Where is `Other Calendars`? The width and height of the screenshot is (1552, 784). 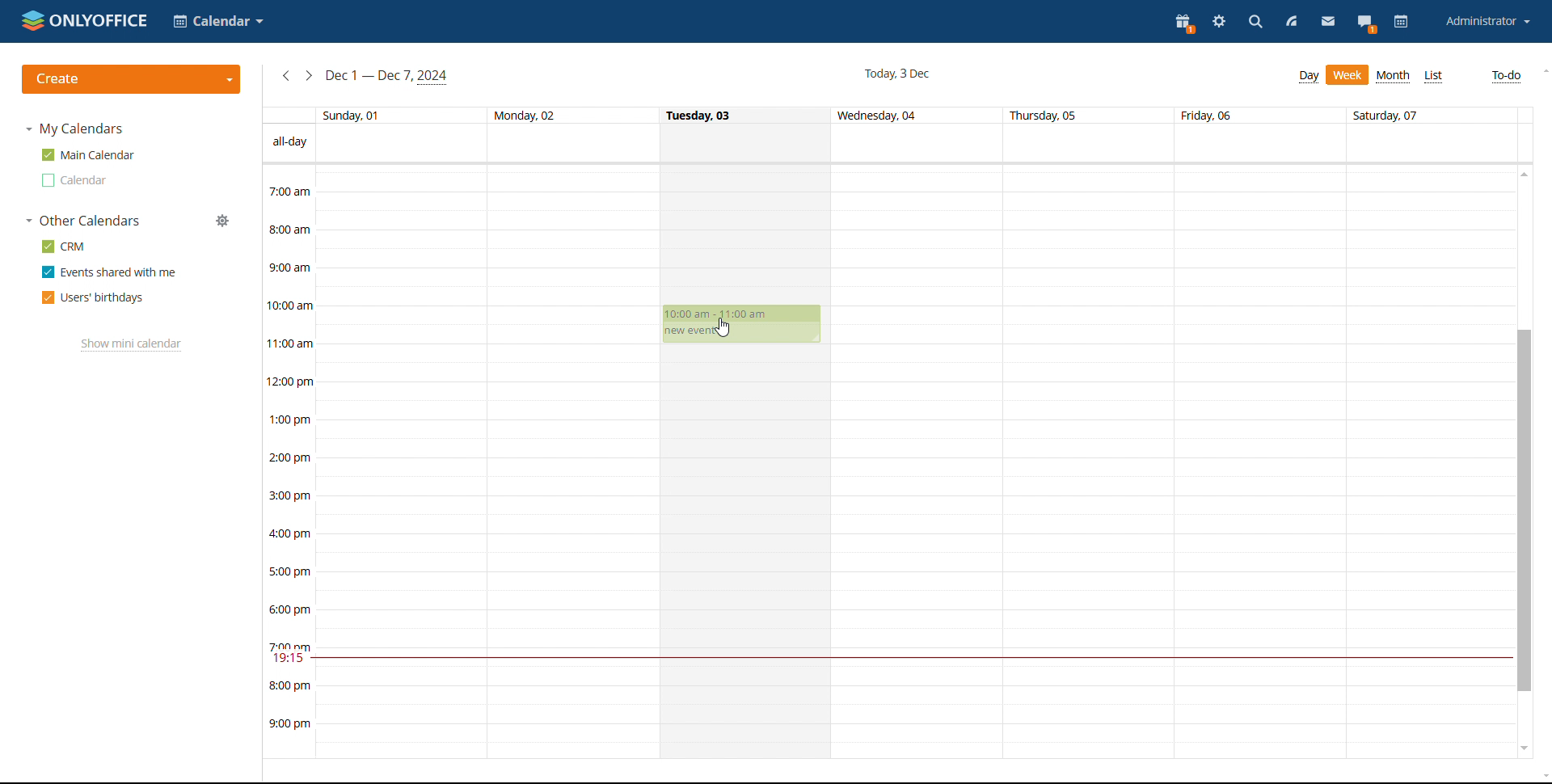
Other Calendars is located at coordinates (84, 221).